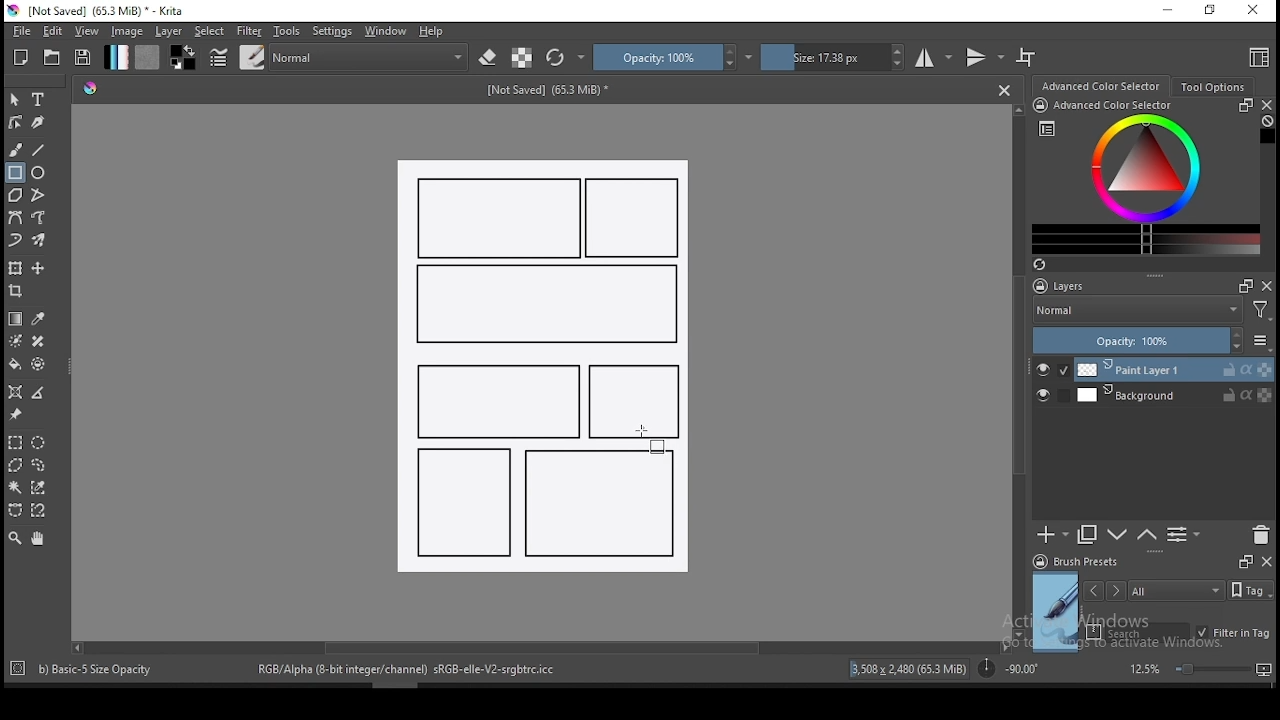 Image resolution: width=1280 pixels, height=720 pixels. What do you see at coordinates (539, 646) in the screenshot?
I see `scroll bar` at bounding box center [539, 646].